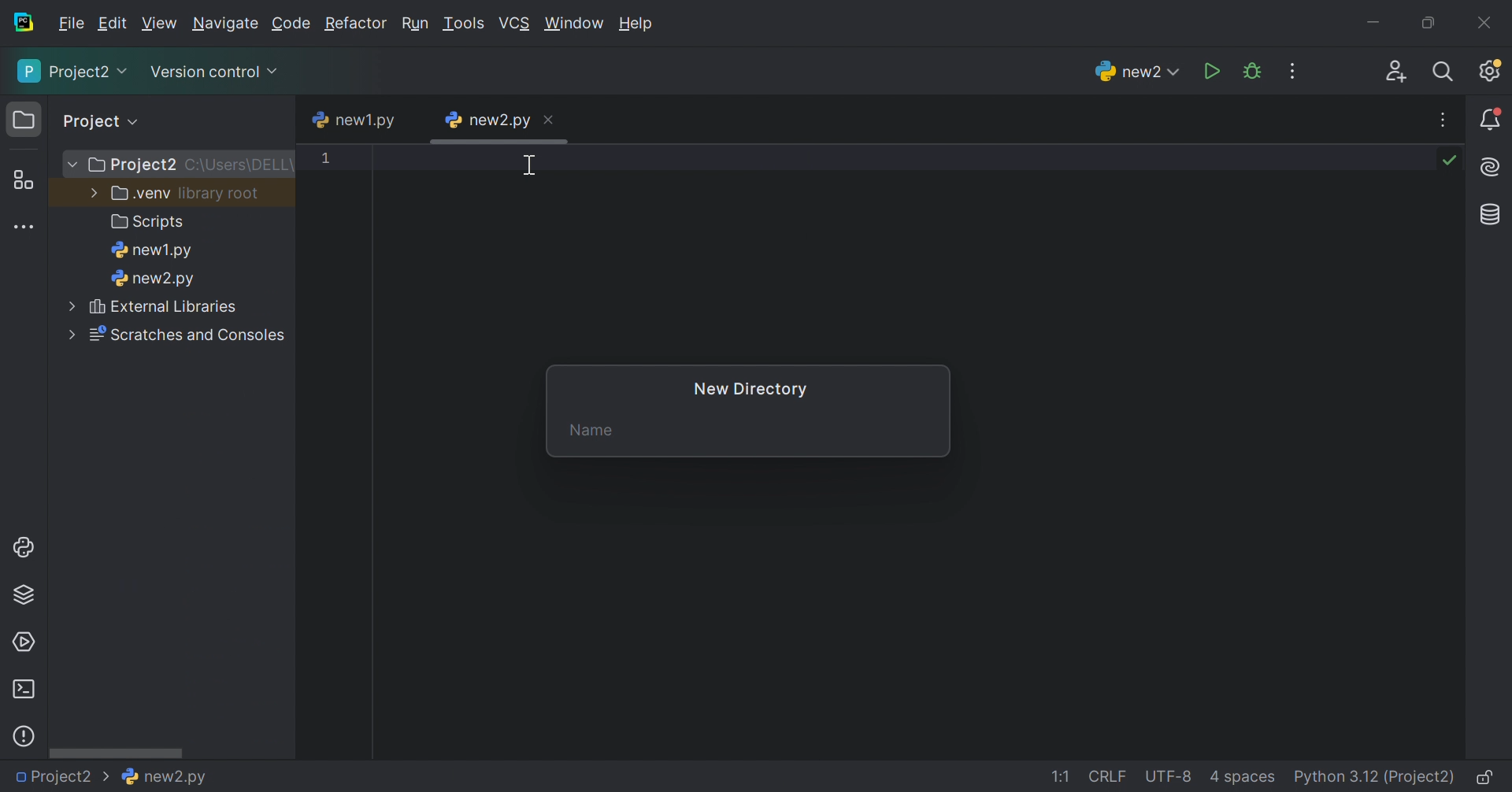 This screenshot has width=1512, height=792. I want to click on .venv, so click(140, 193).